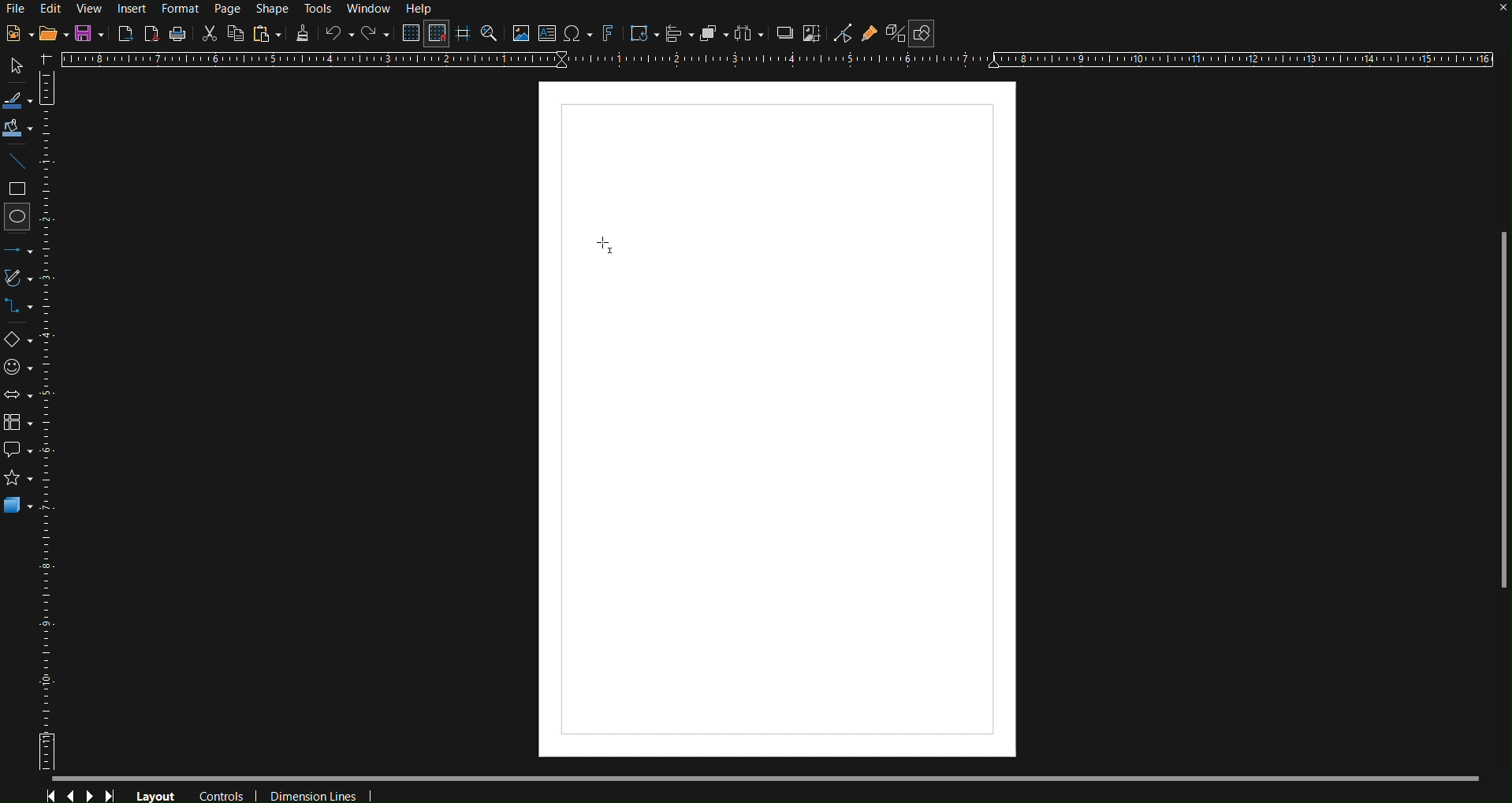  I want to click on File, so click(15, 10).